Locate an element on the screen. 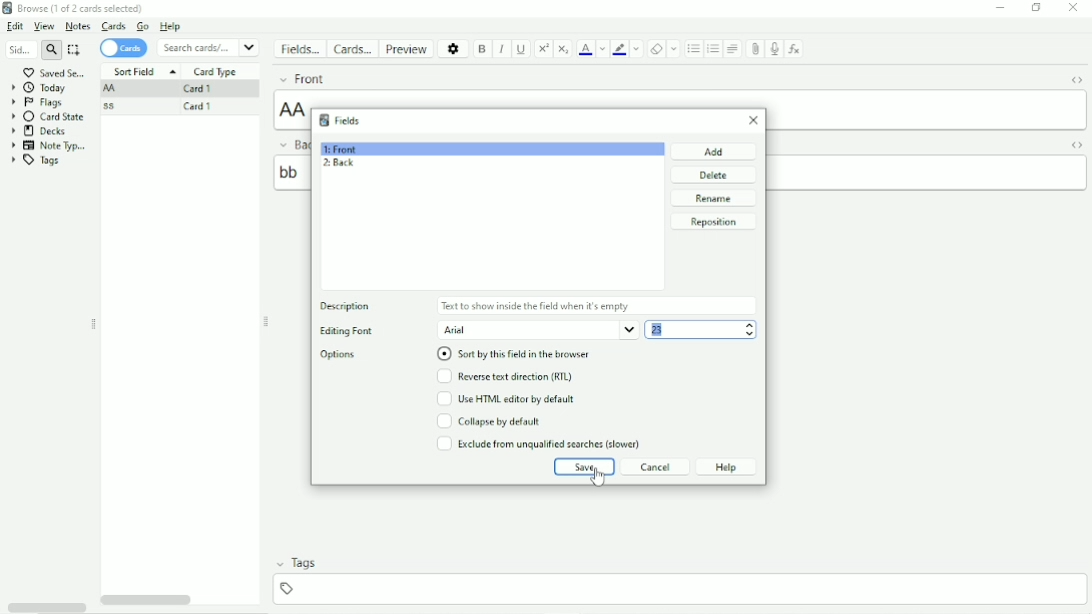  Card Type is located at coordinates (217, 72).